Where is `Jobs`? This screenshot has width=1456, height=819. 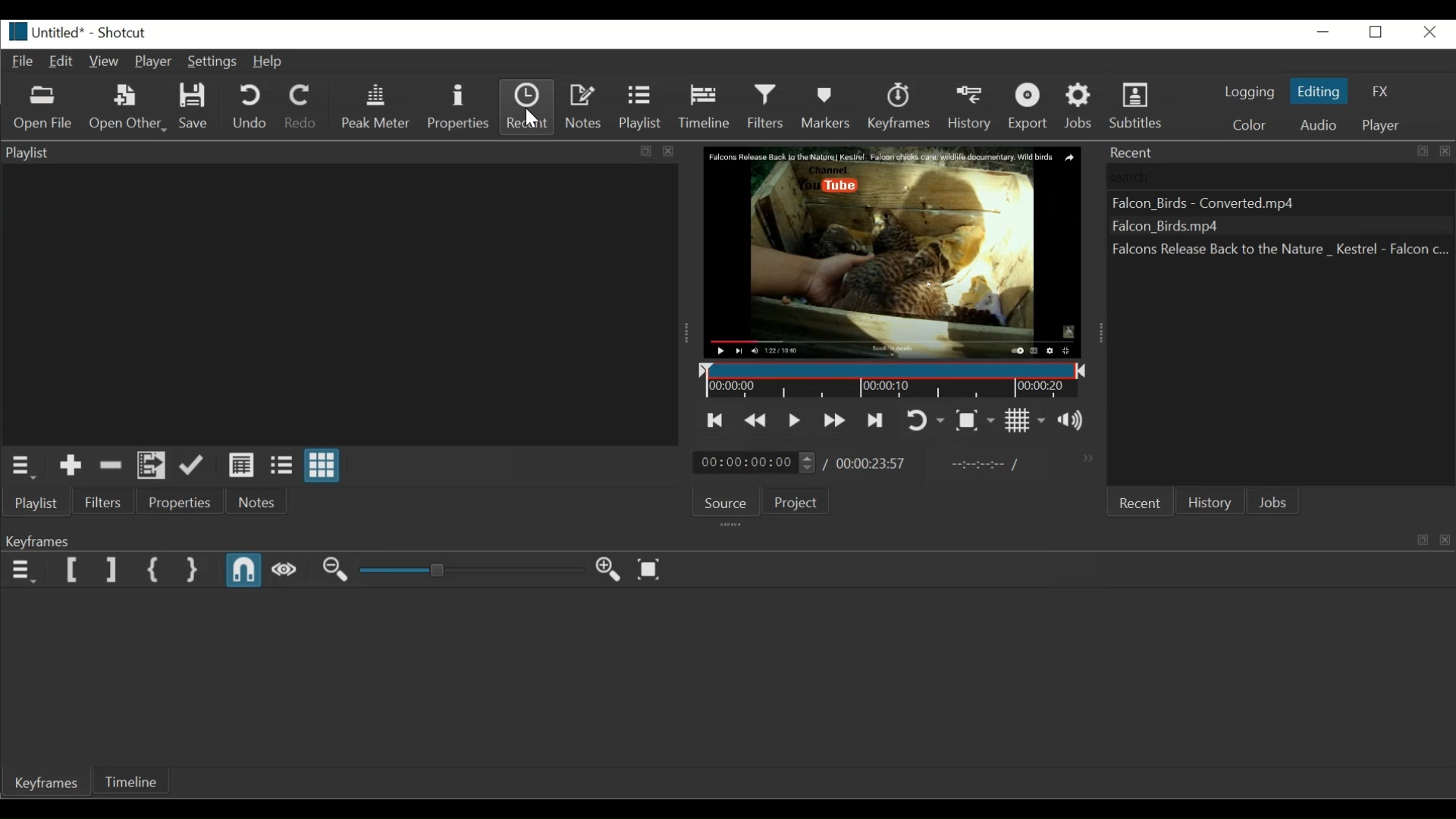
Jobs is located at coordinates (1081, 107).